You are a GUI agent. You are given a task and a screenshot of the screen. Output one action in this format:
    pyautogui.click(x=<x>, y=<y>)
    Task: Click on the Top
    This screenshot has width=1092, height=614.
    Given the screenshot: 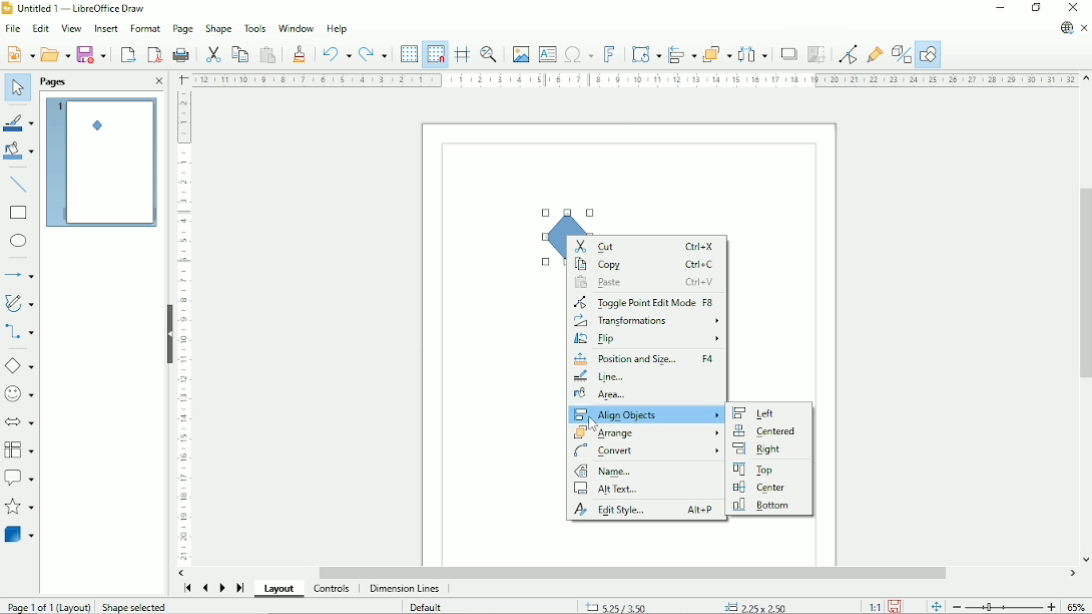 What is the action you would take?
    pyautogui.click(x=753, y=469)
    